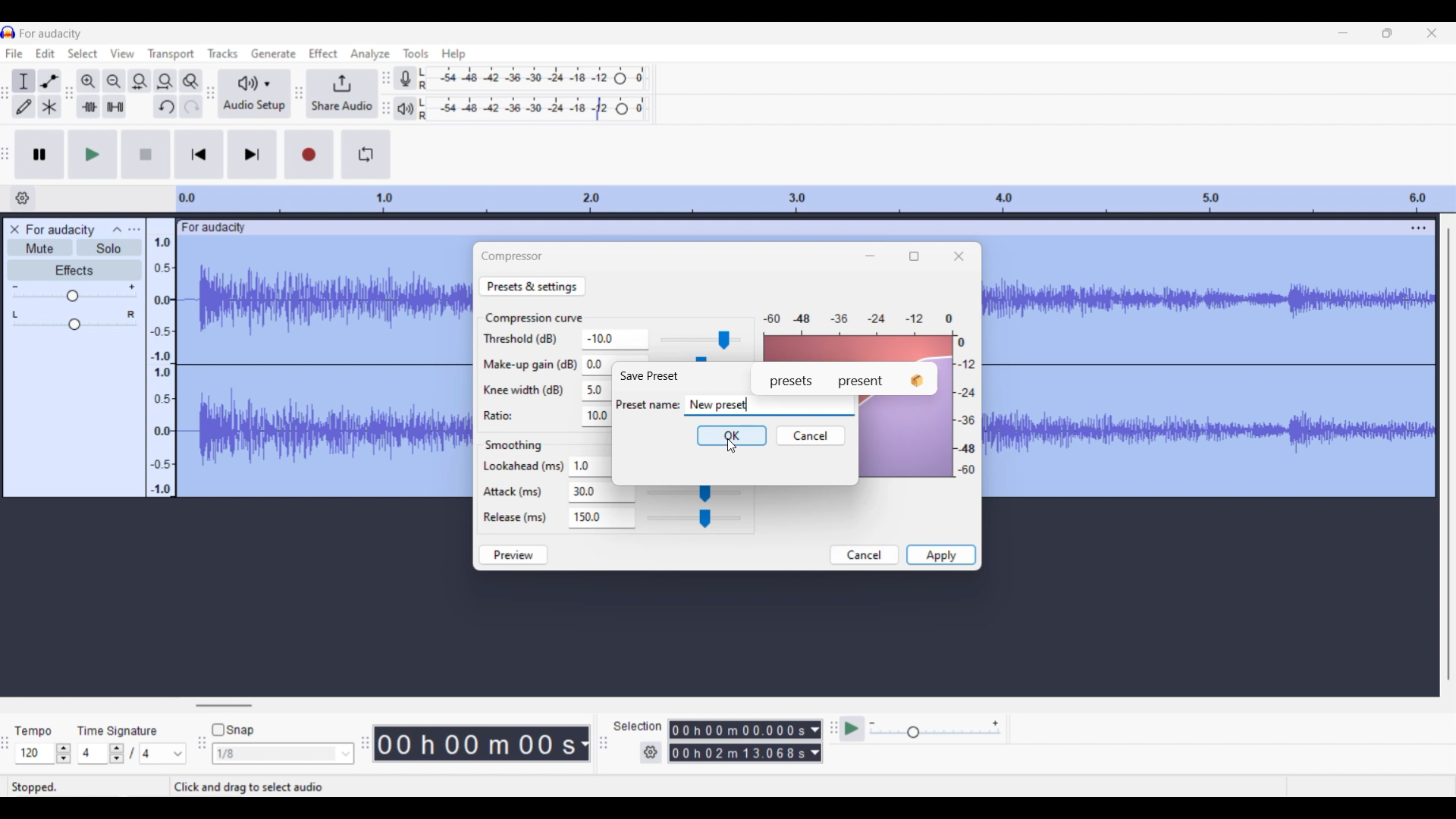 The width and height of the screenshot is (1456, 819). I want to click on Text box for attack, so click(591, 492).